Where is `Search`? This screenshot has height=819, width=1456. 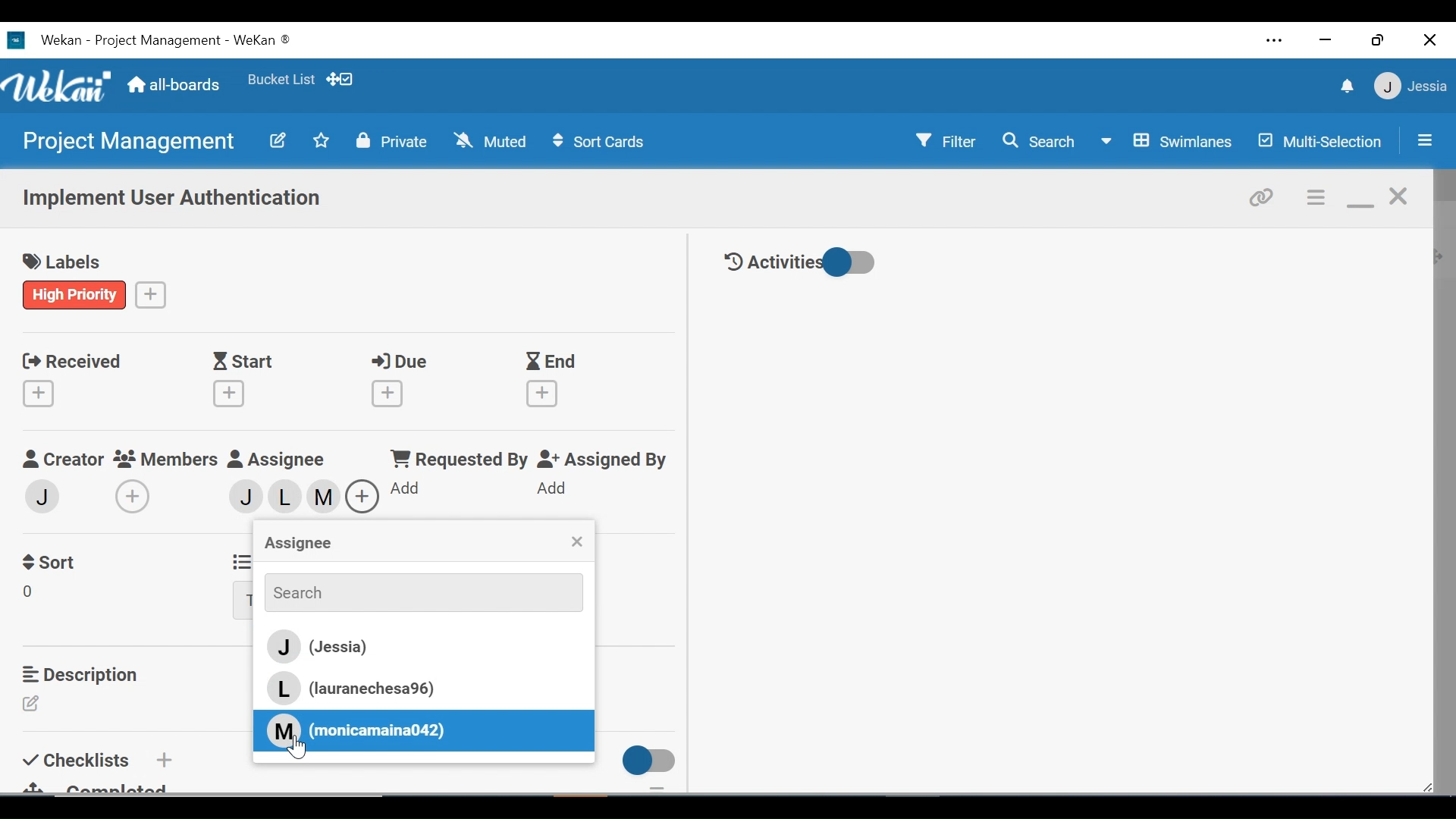 Search is located at coordinates (1038, 141).